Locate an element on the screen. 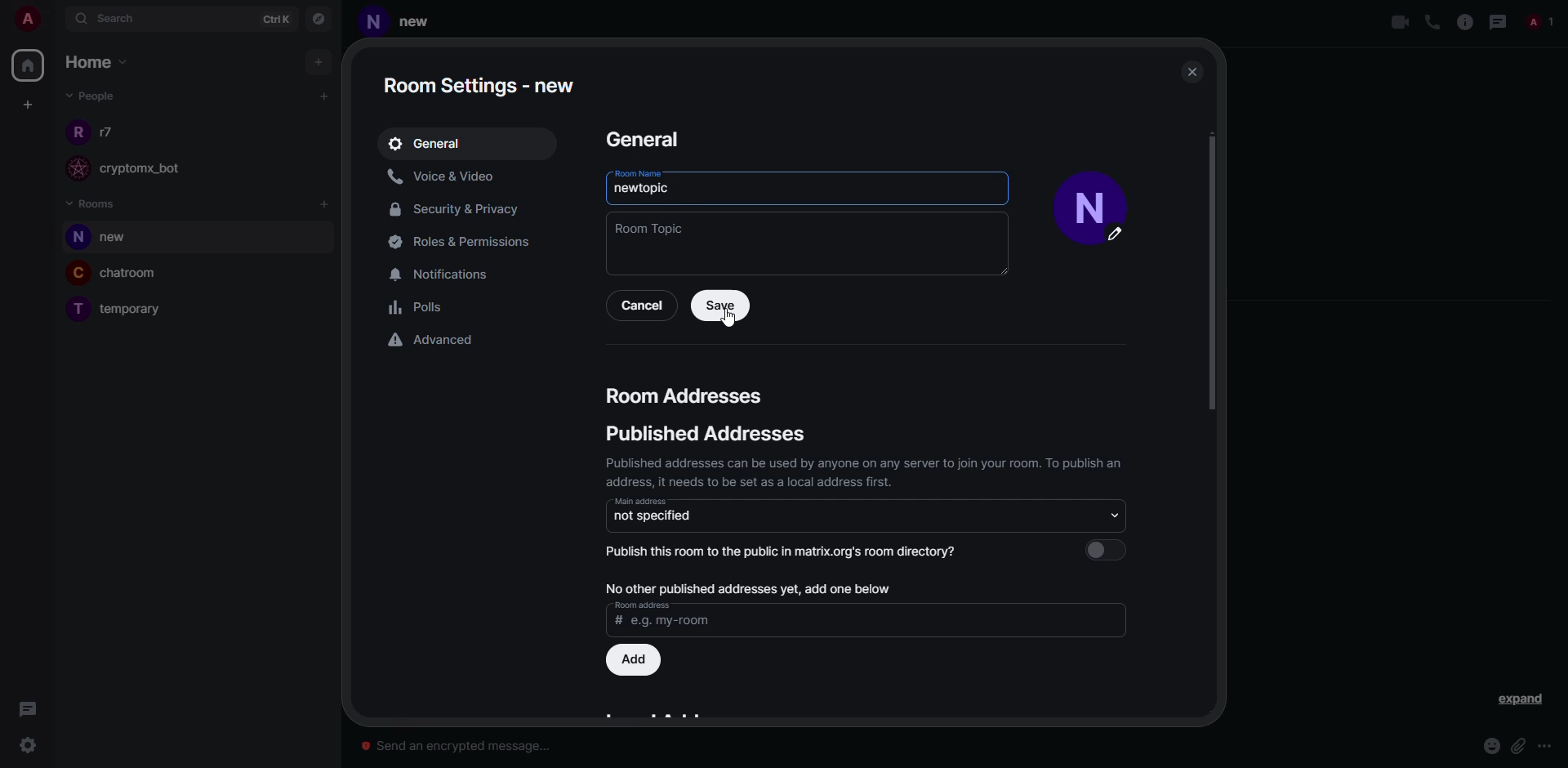 This screenshot has height=768, width=1568. threads is located at coordinates (28, 708).